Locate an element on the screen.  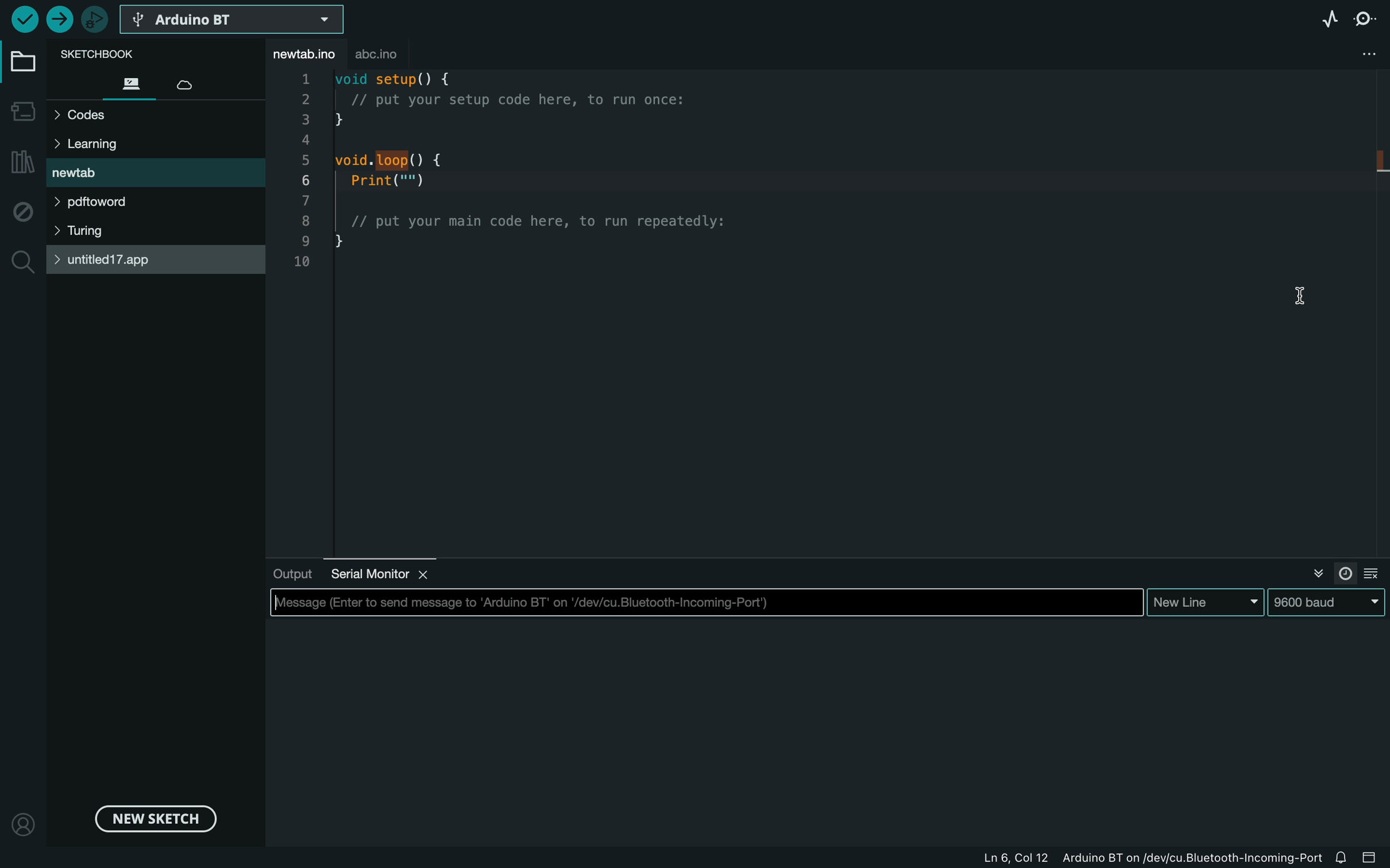
timer is located at coordinates (1347, 571).